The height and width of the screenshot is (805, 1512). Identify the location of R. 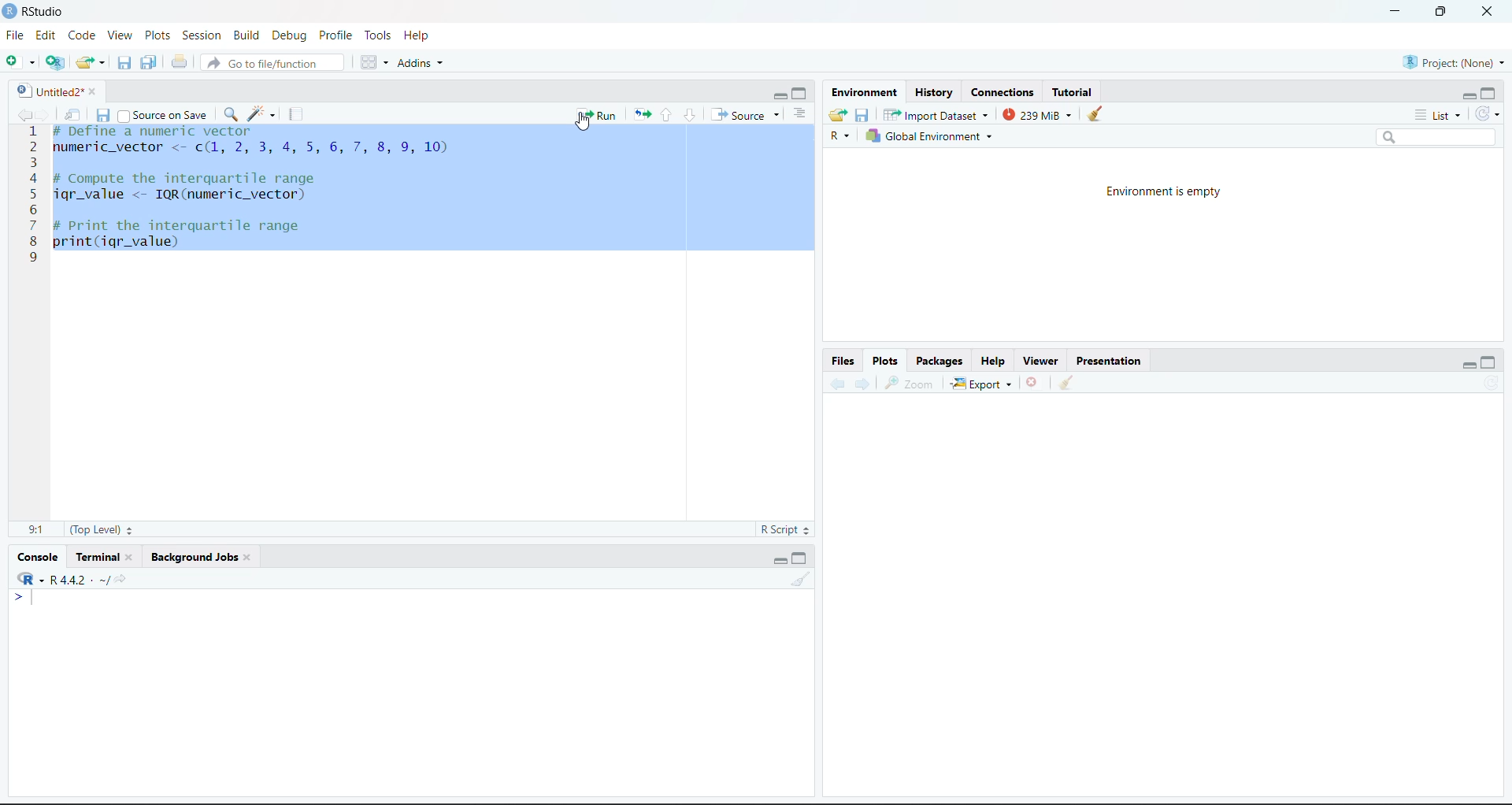
(839, 139).